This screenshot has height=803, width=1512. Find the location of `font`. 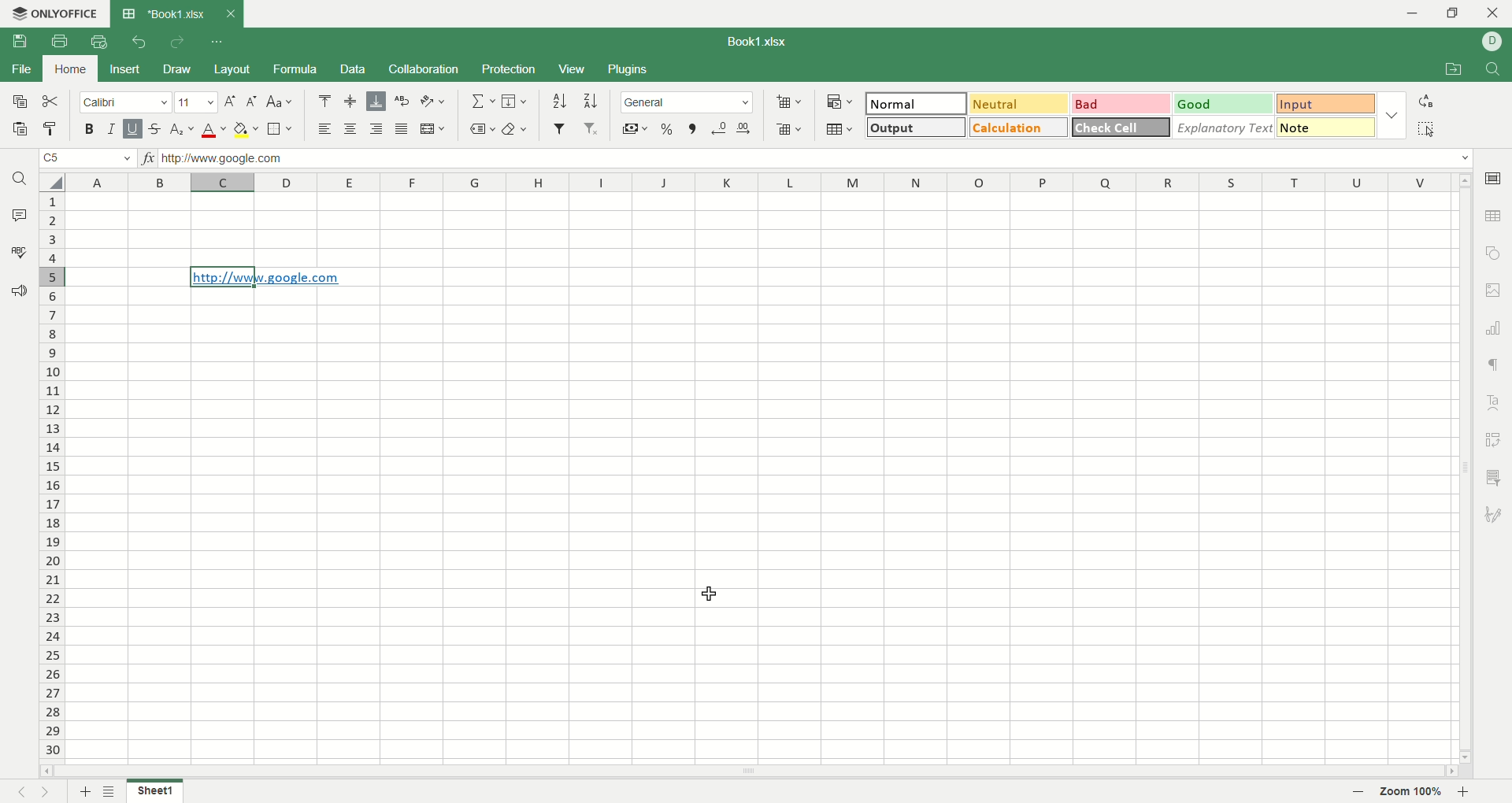

font is located at coordinates (125, 104).